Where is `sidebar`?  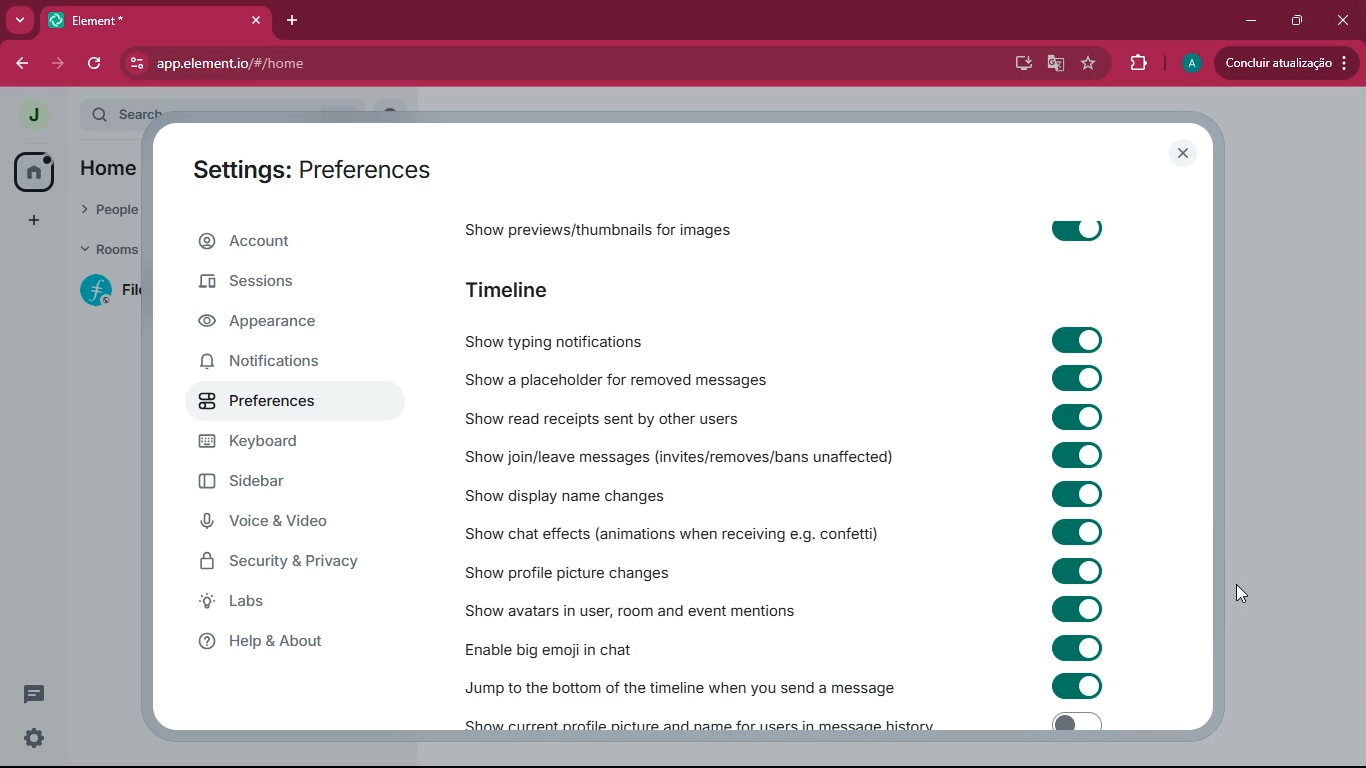
sidebar is located at coordinates (275, 481).